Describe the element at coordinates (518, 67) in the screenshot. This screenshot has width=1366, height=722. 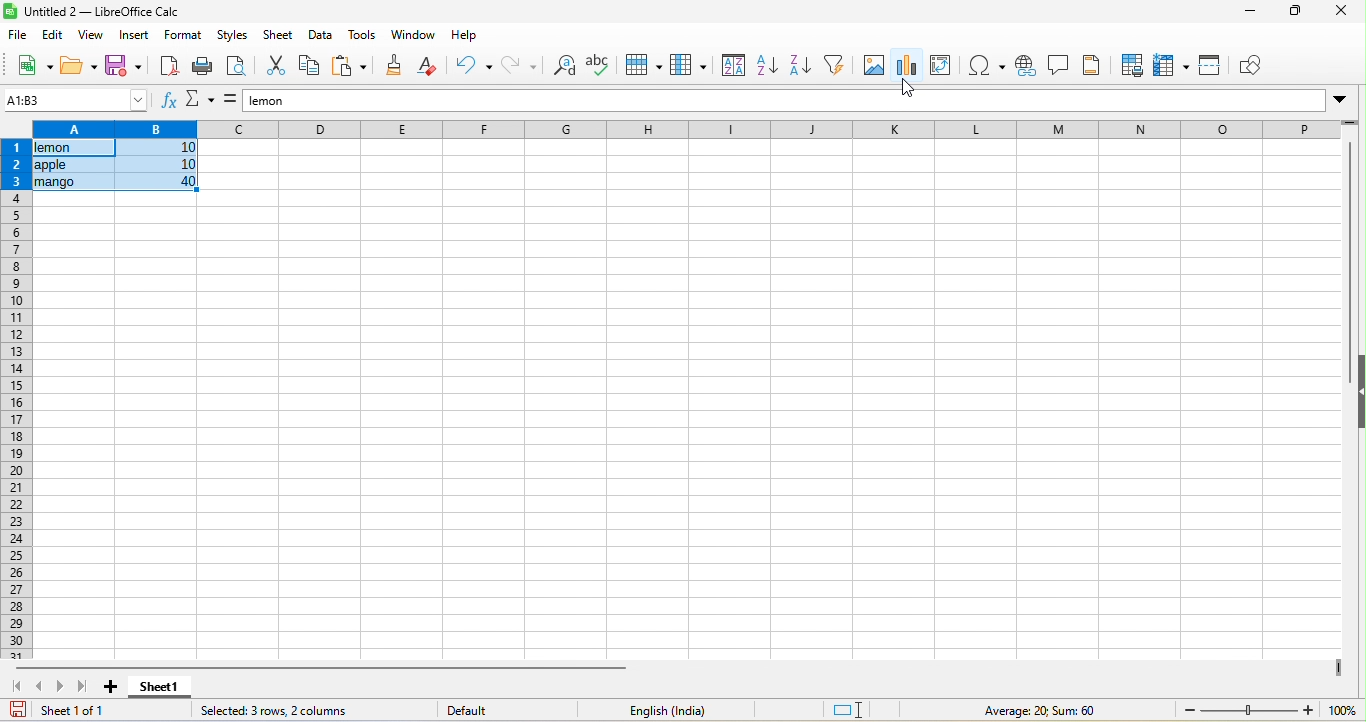
I see `redo` at that location.